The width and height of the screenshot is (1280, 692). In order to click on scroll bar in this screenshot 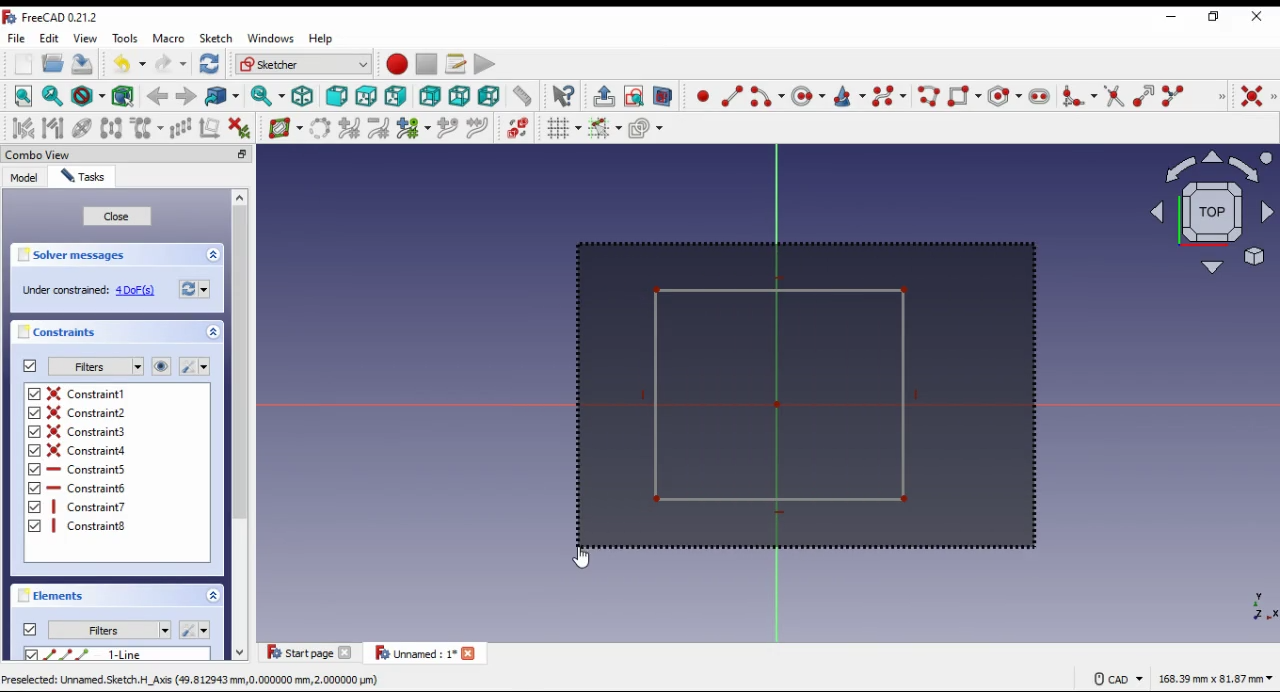, I will do `click(242, 426)`.